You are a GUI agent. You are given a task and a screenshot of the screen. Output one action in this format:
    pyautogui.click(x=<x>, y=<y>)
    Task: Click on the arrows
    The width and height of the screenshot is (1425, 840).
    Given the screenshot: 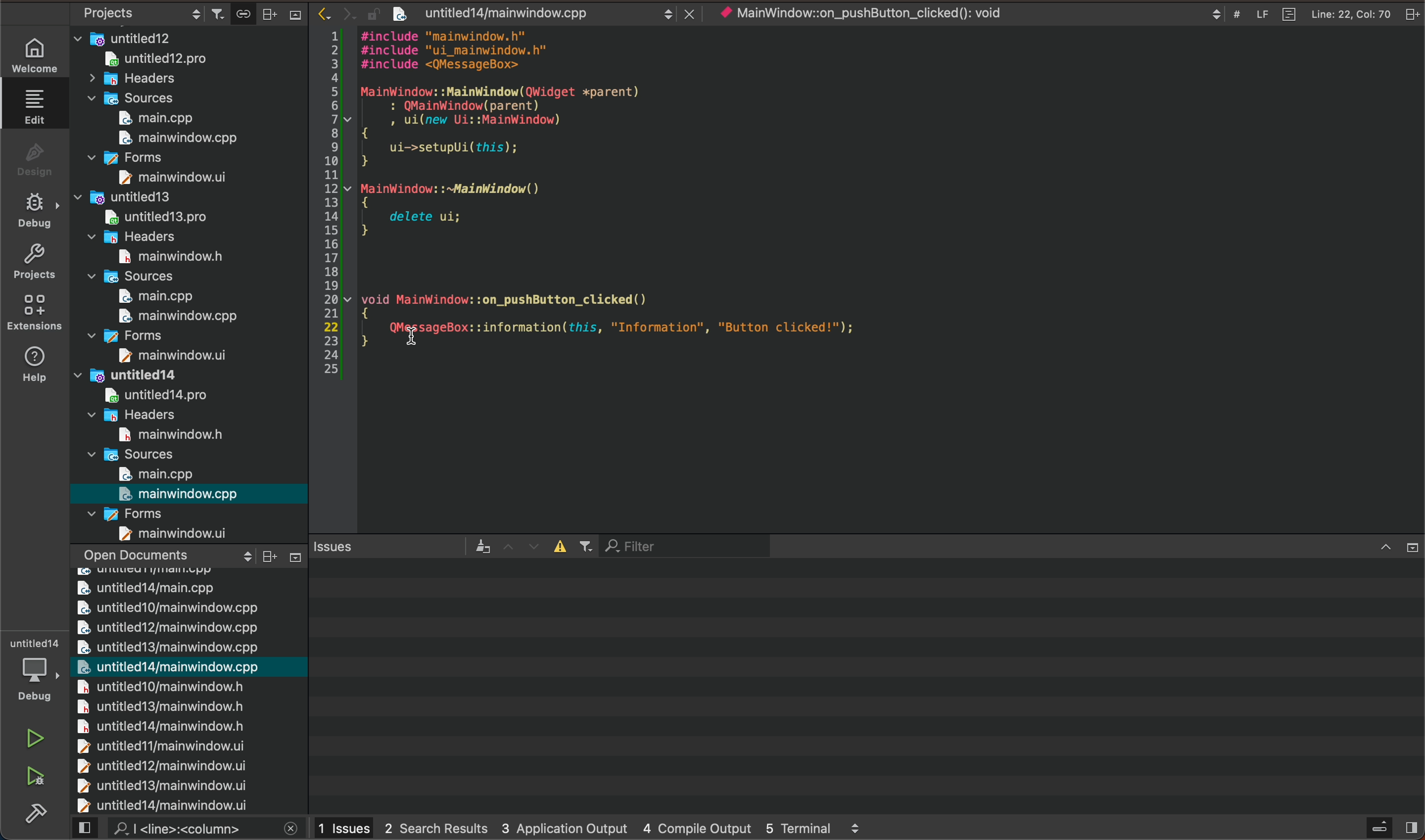 What is the action you would take?
    pyautogui.click(x=338, y=14)
    